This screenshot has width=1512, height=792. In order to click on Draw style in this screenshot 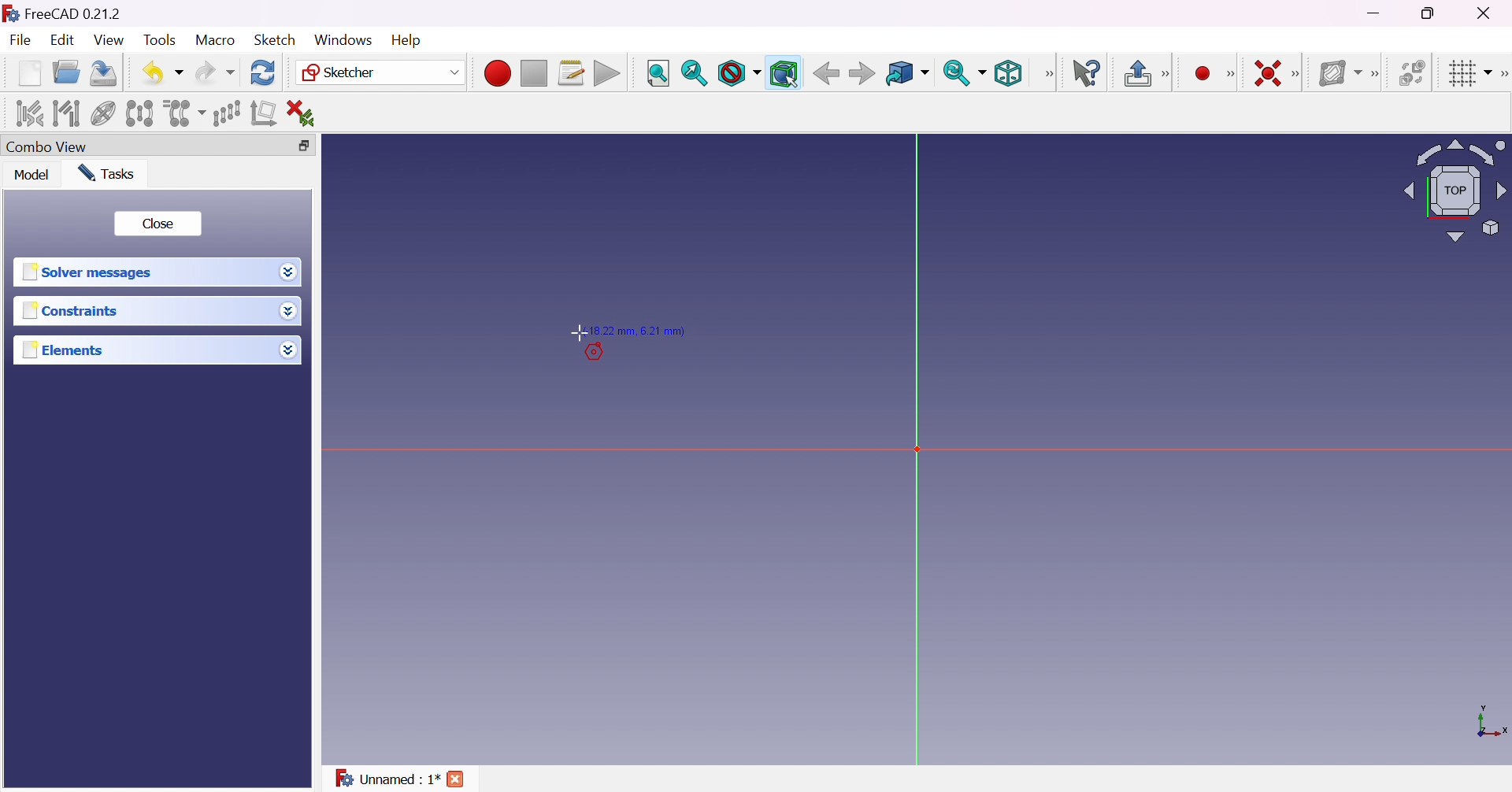, I will do `click(738, 73)`.